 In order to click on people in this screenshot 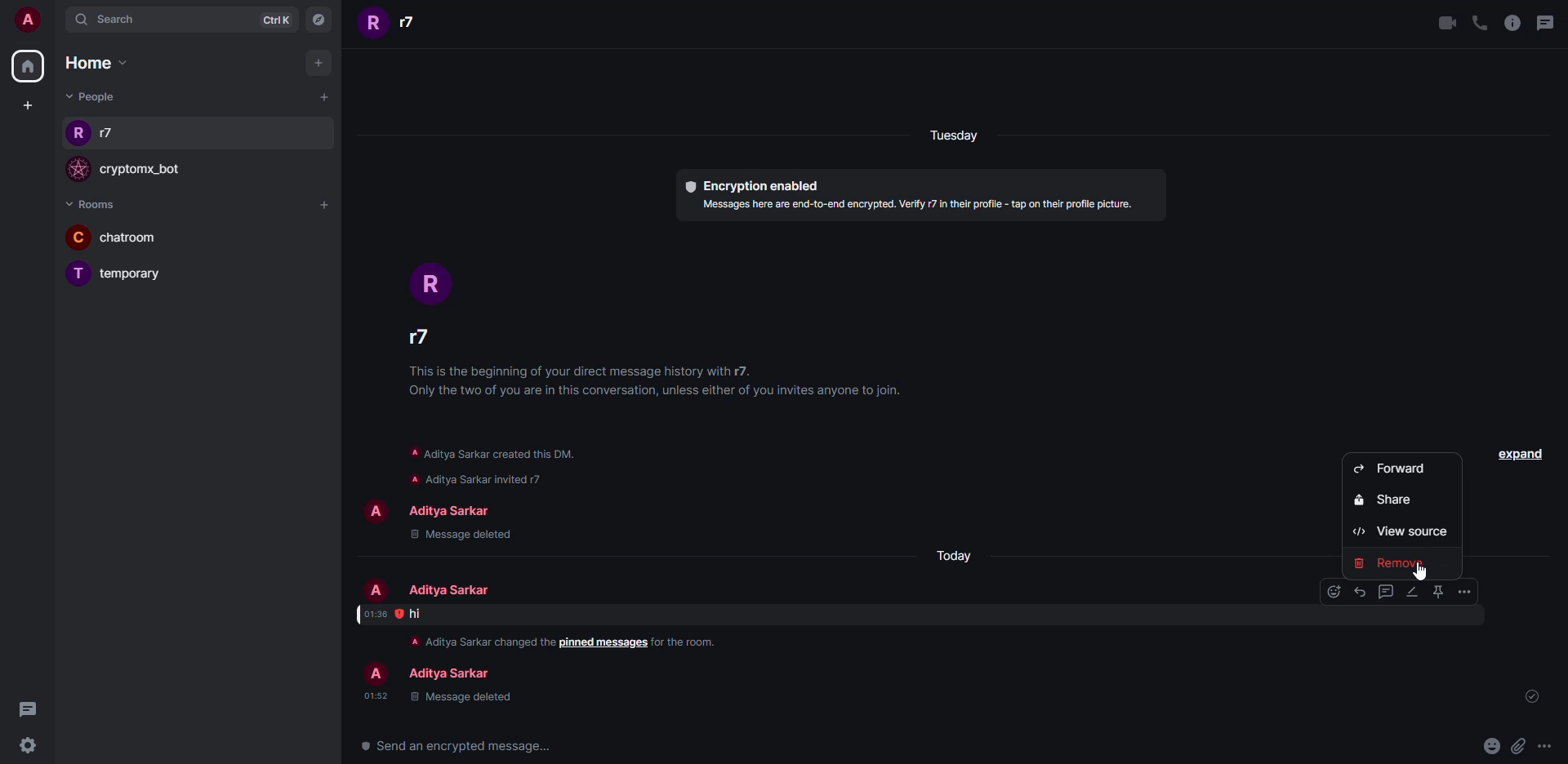, I will do `click(446, 590)`.